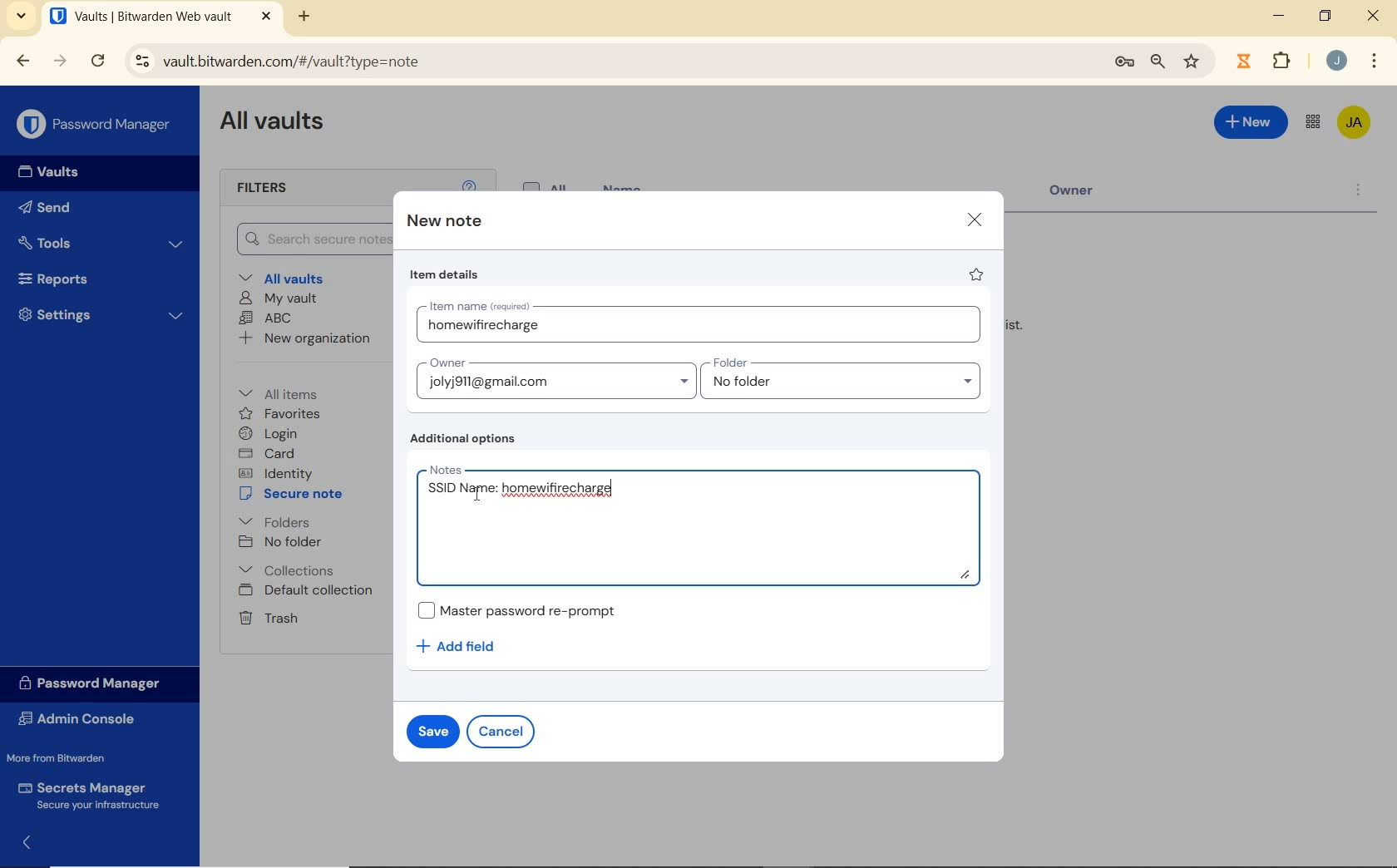 The height and width of the screenshot is (868, 1397). Describe the element at coordinates (273, 124) in the screenshot. I see `All Vaults` at that location.